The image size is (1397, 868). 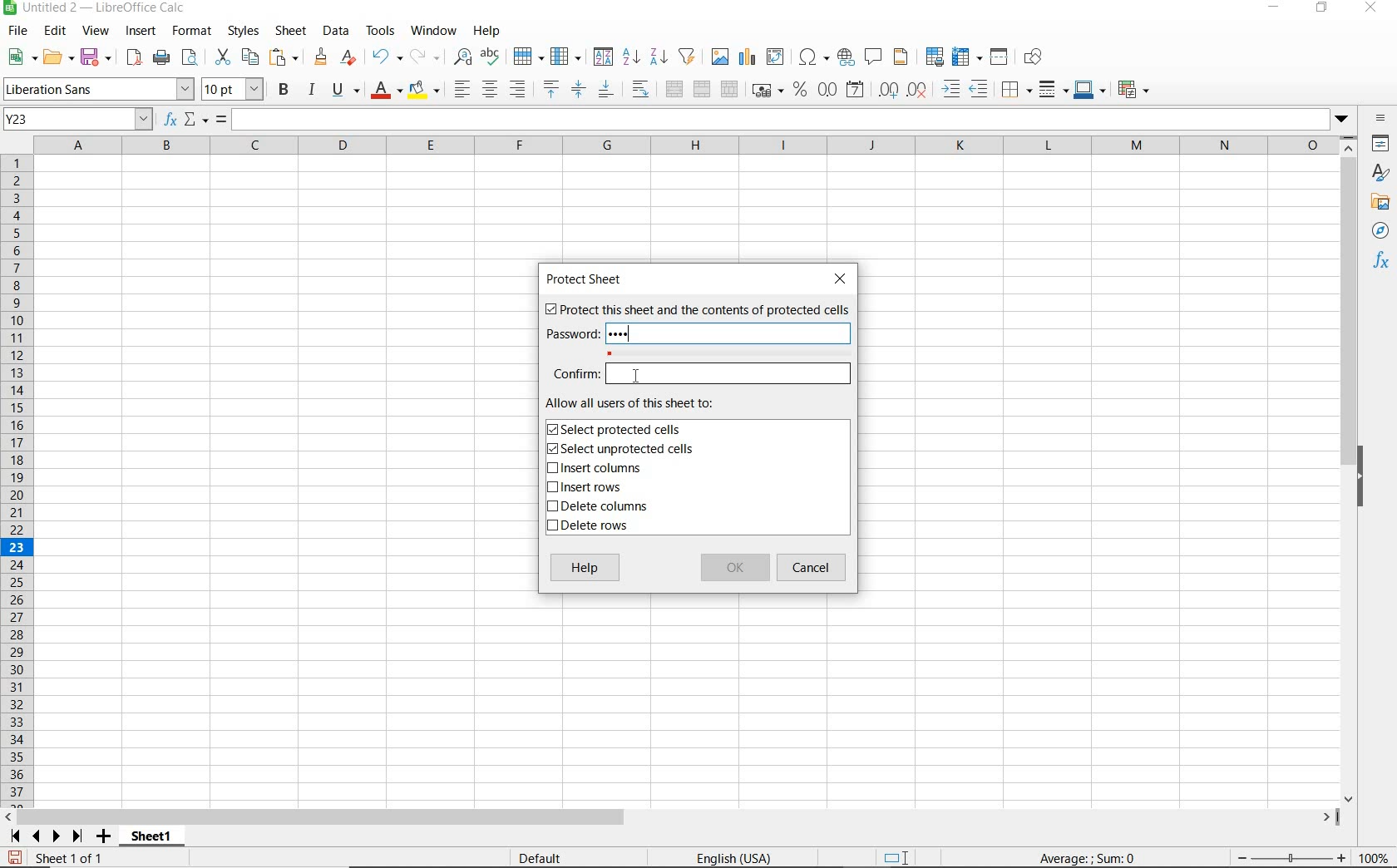 What do you see at coordinates (1088, 859) in the screenshot?
I see `FORMULA` at bounding box center [1088, 859].